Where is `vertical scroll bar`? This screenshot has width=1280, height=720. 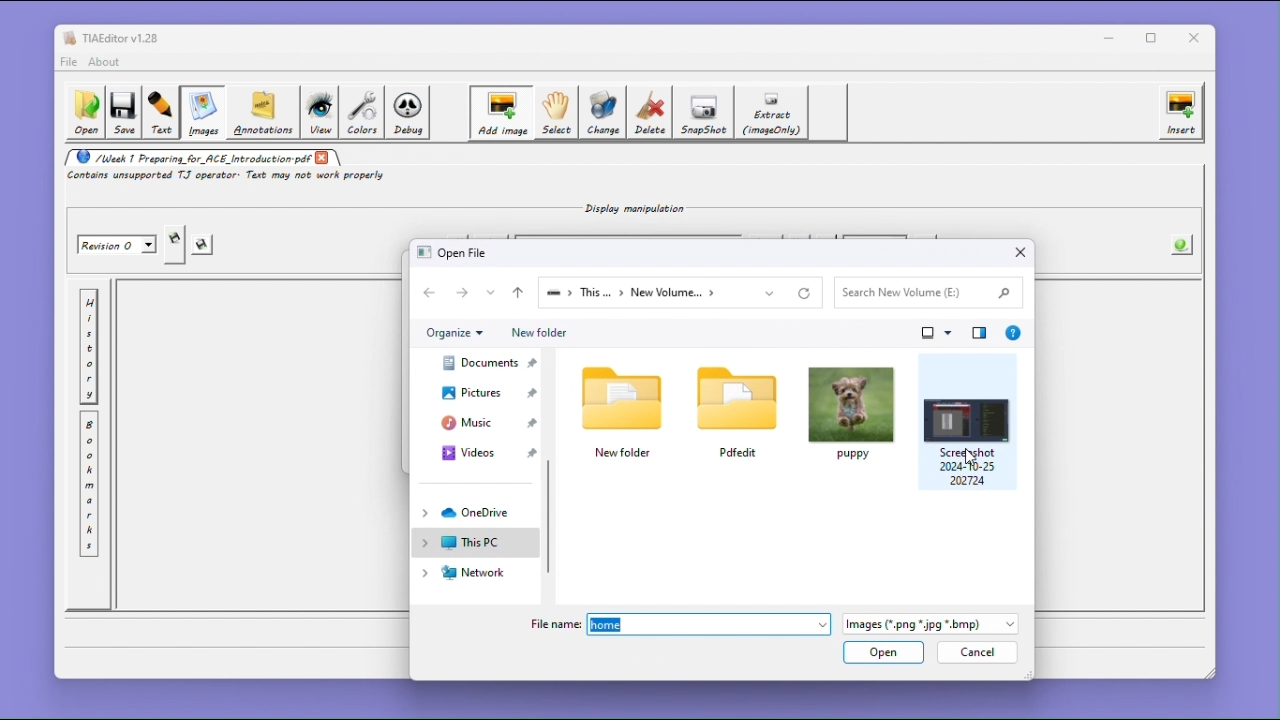
vertical scroll bar is located at coordinates (552, 516).